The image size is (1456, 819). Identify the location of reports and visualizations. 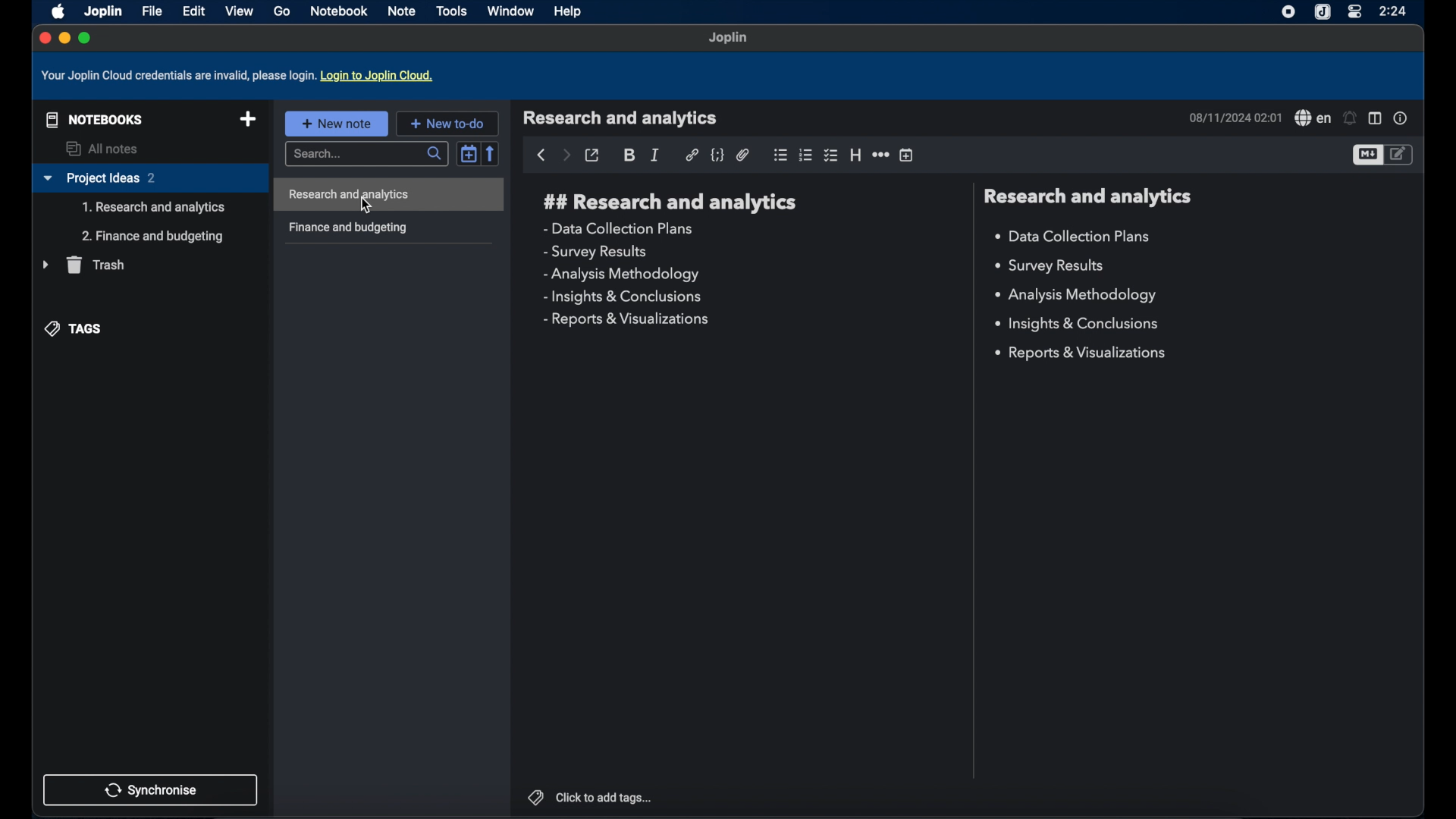
(625, 320).